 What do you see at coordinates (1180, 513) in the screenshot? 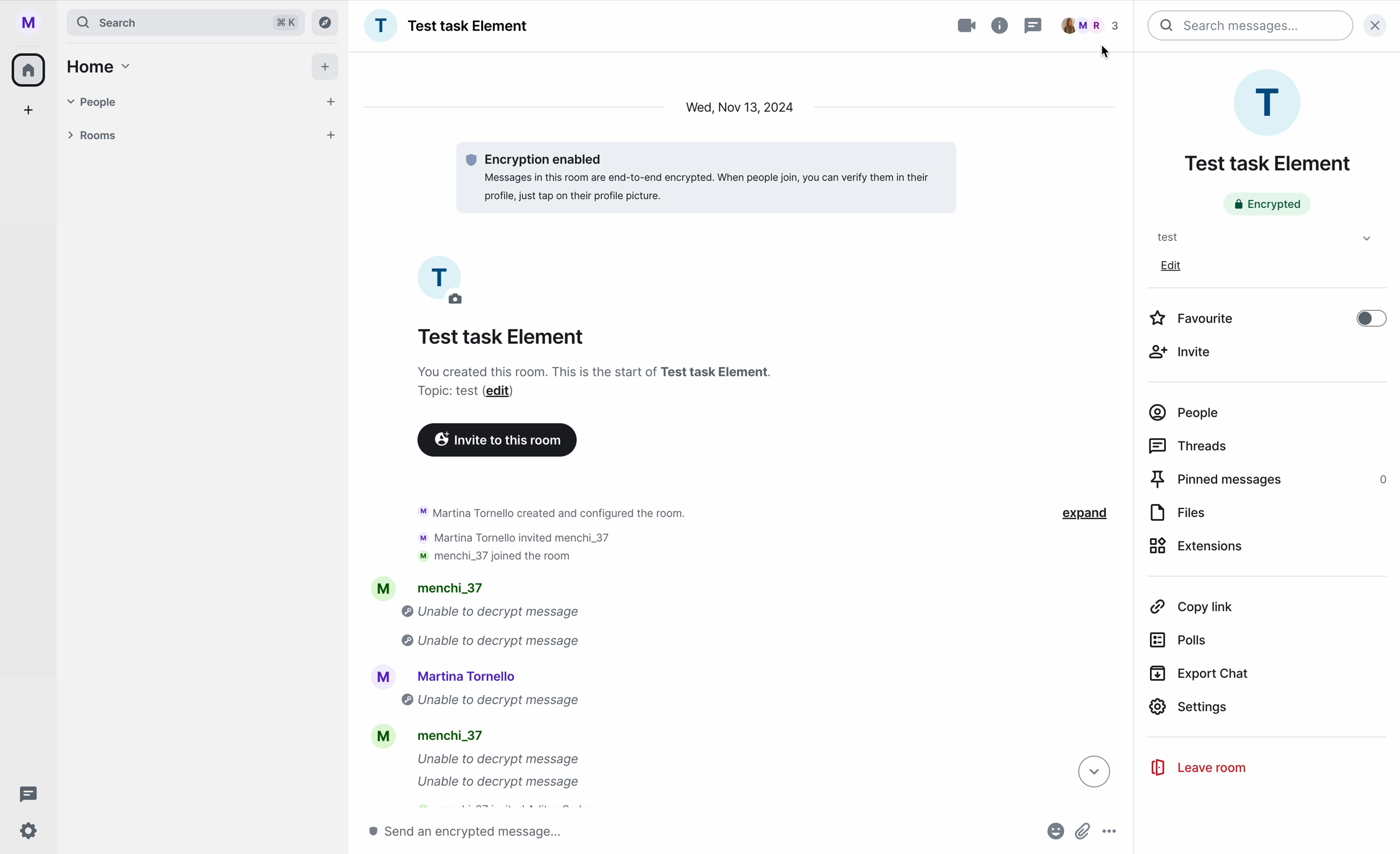
I see `files` at bounding box center [1180, 513].